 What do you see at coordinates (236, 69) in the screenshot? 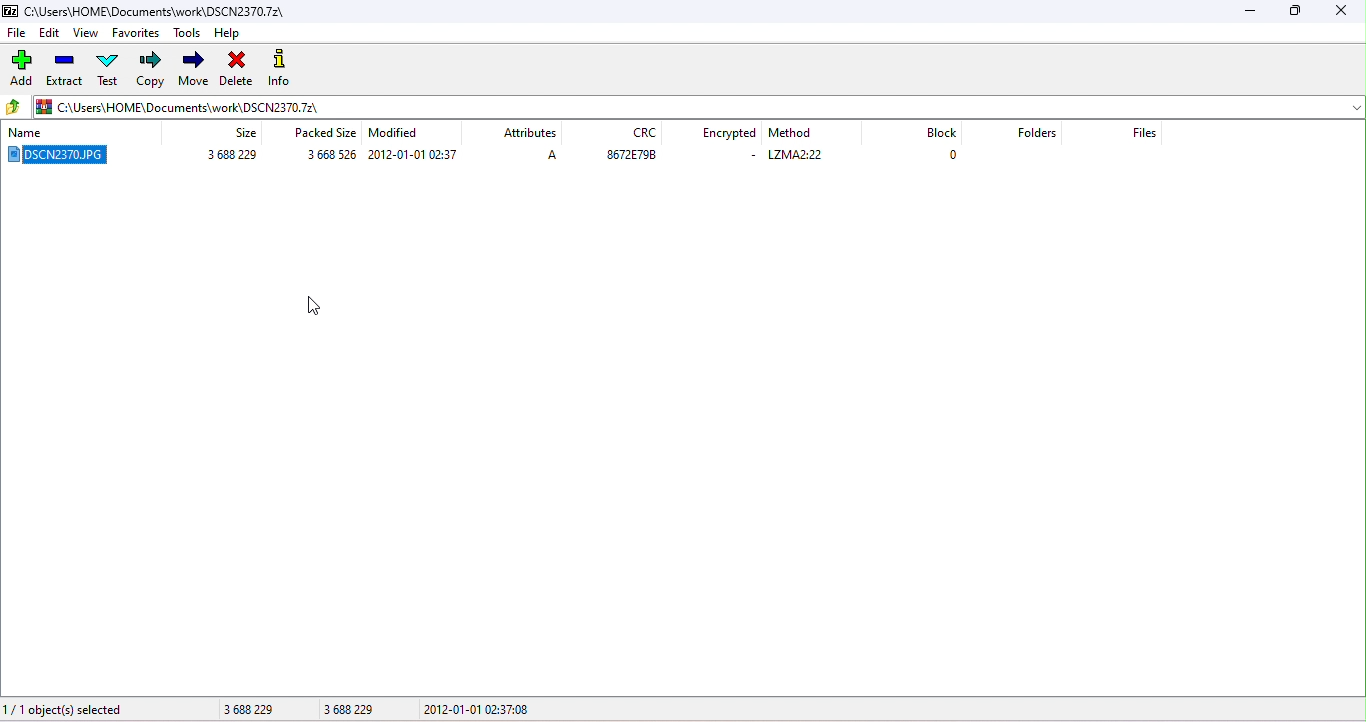
I see `delete` at bounding box center [236, 69].